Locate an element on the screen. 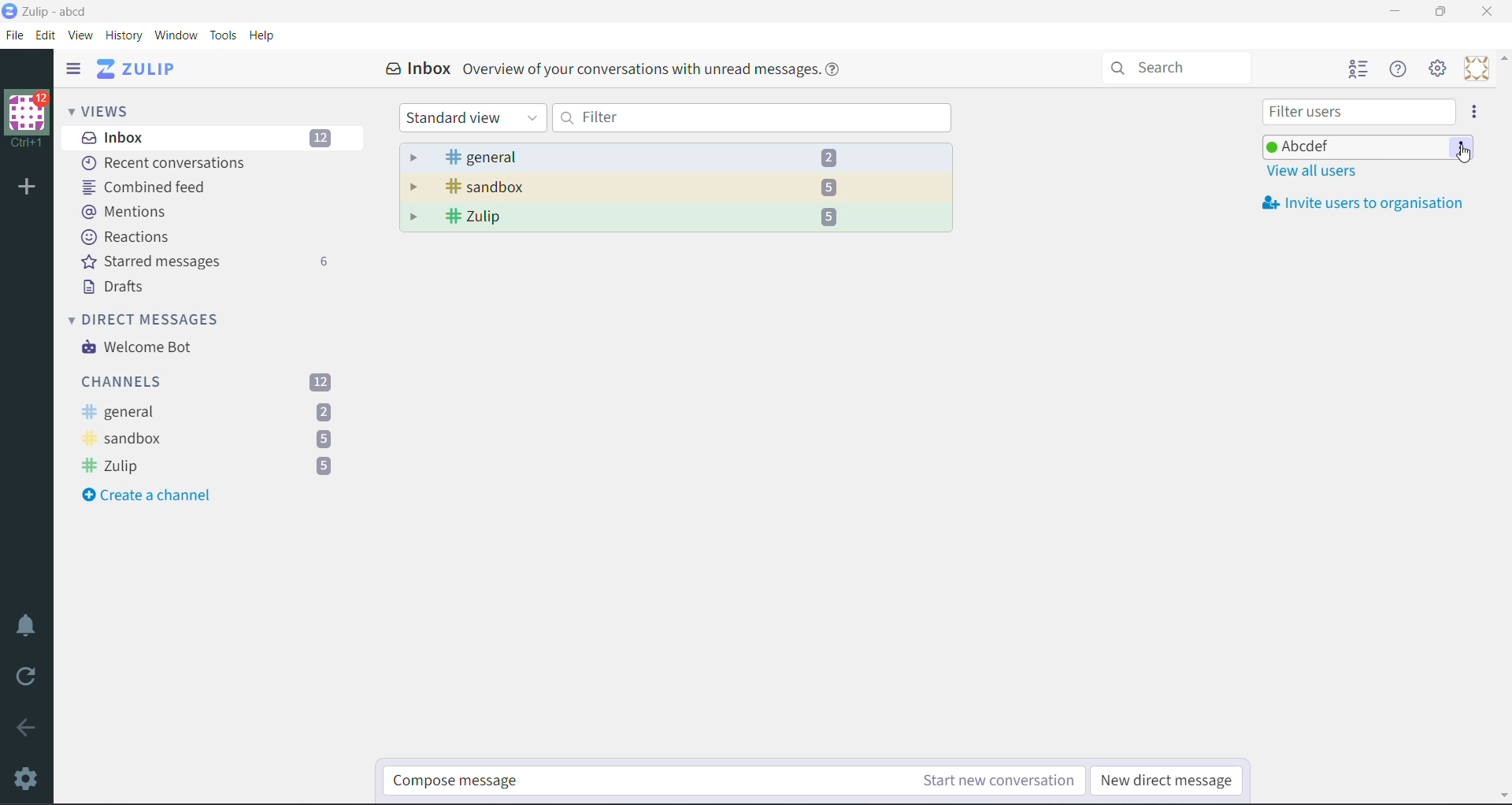 This screenshot has width=1512, height=805. Create a channel is located at coordinates (153, 497).